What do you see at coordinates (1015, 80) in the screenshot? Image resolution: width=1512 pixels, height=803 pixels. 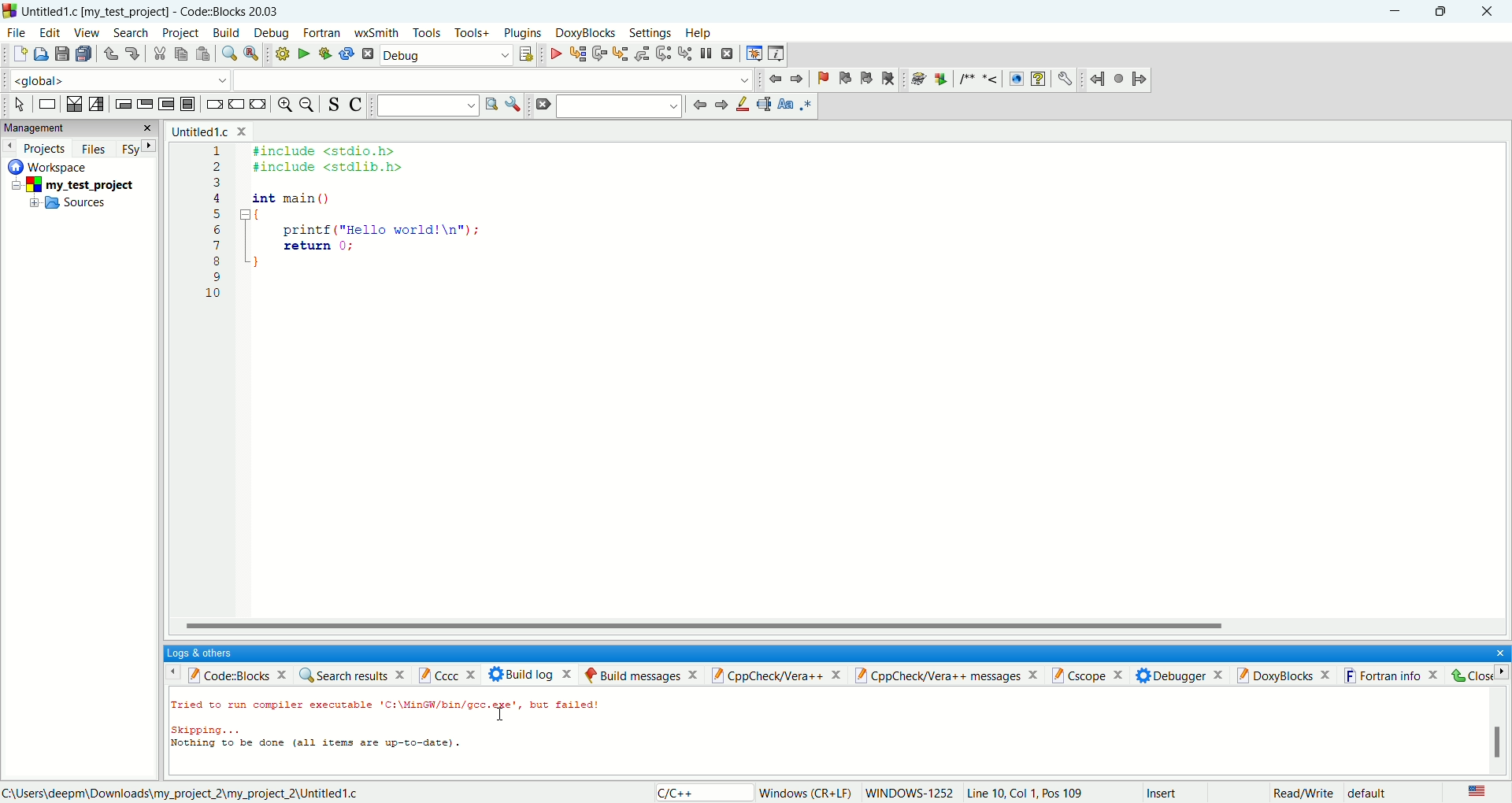 I see `HTML` at bounding box center [1015, 80].